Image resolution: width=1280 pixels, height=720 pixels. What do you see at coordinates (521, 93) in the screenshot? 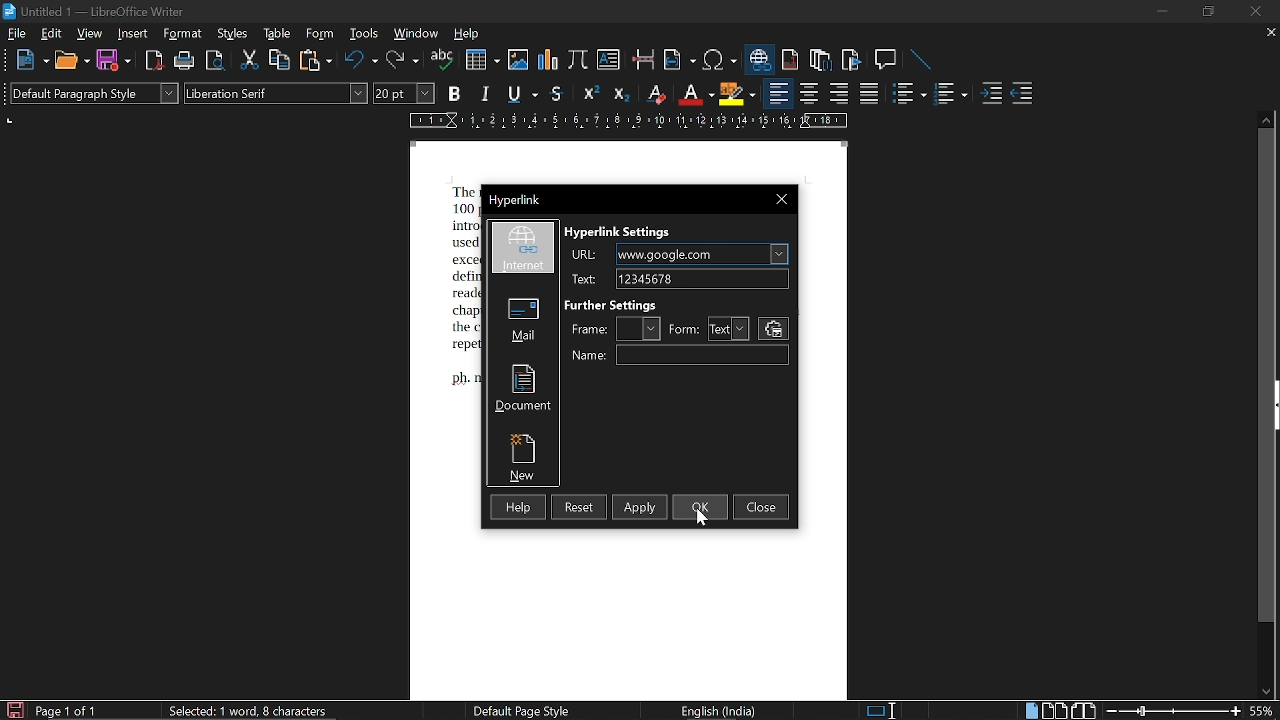
I see `underline` at bounding box center [521, 93].